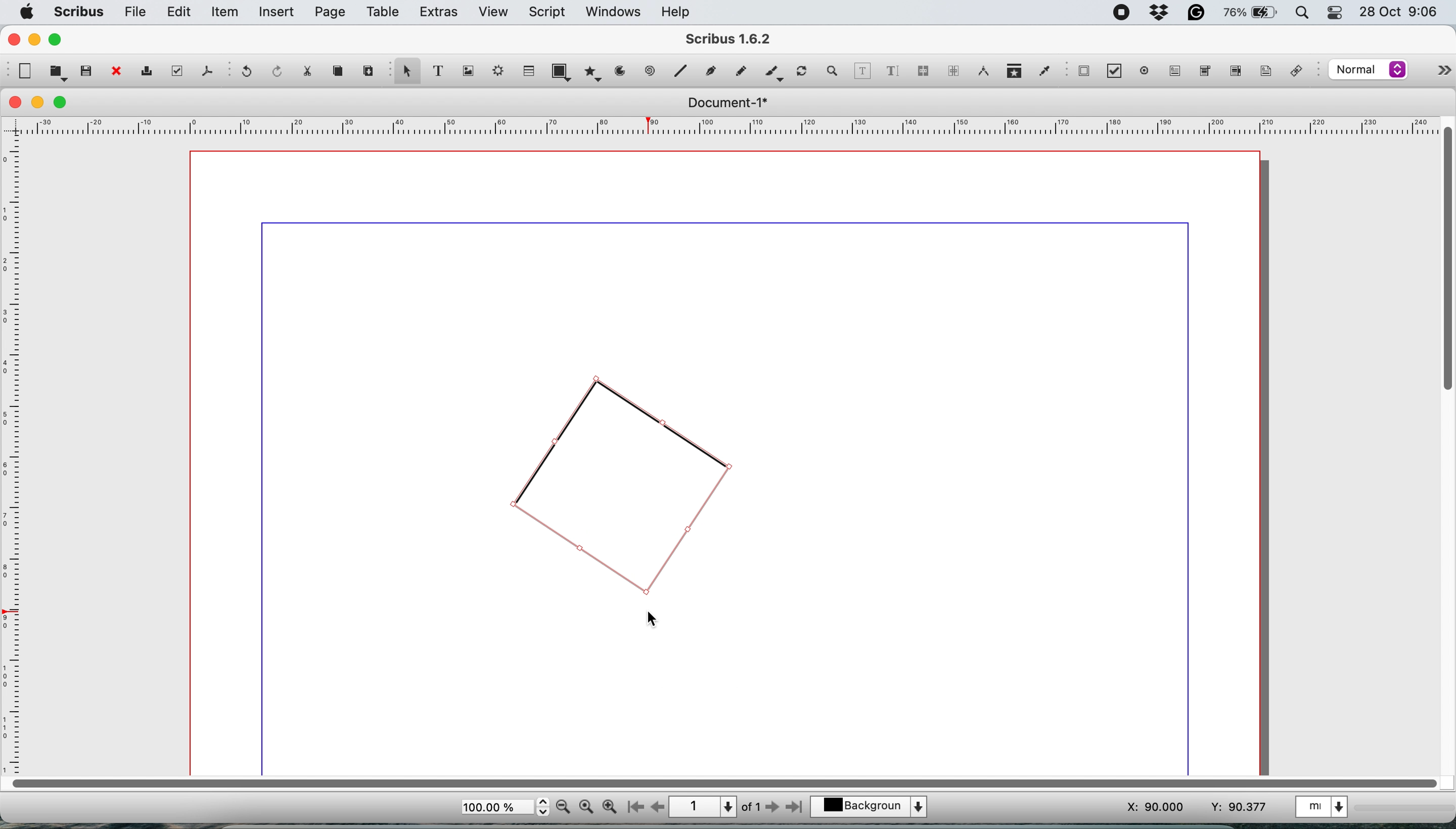 This screenshot has width=1456, height=829. I want to click on text frame, so click(444, 72).